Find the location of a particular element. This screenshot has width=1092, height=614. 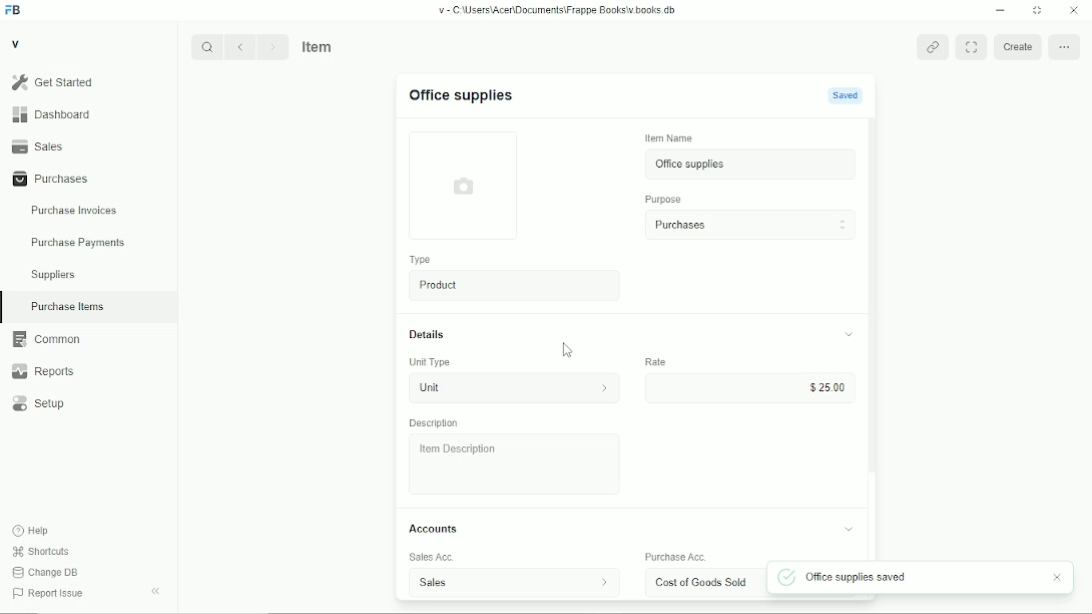

rate is located at coordinates (655, 361).